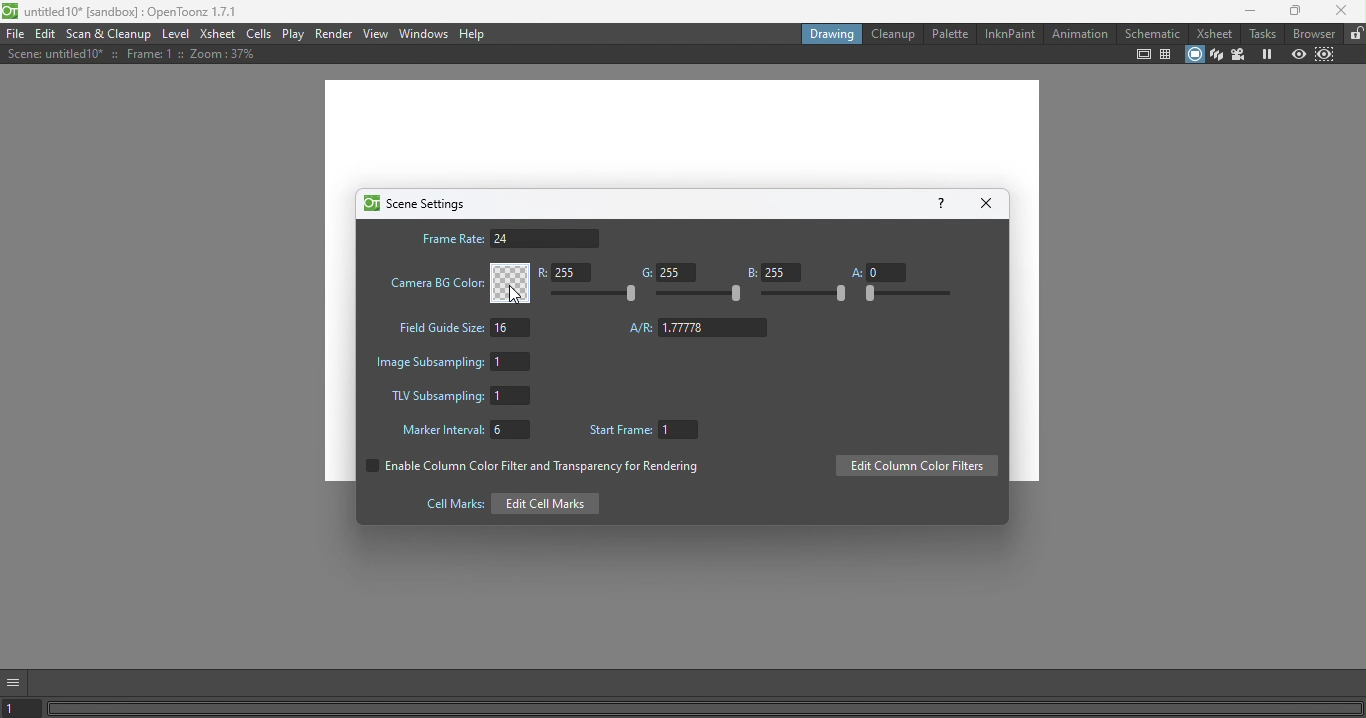 The width and height of the screenshot is (1366, 718). I want to click on Edit cell marks, so click(506, 503).